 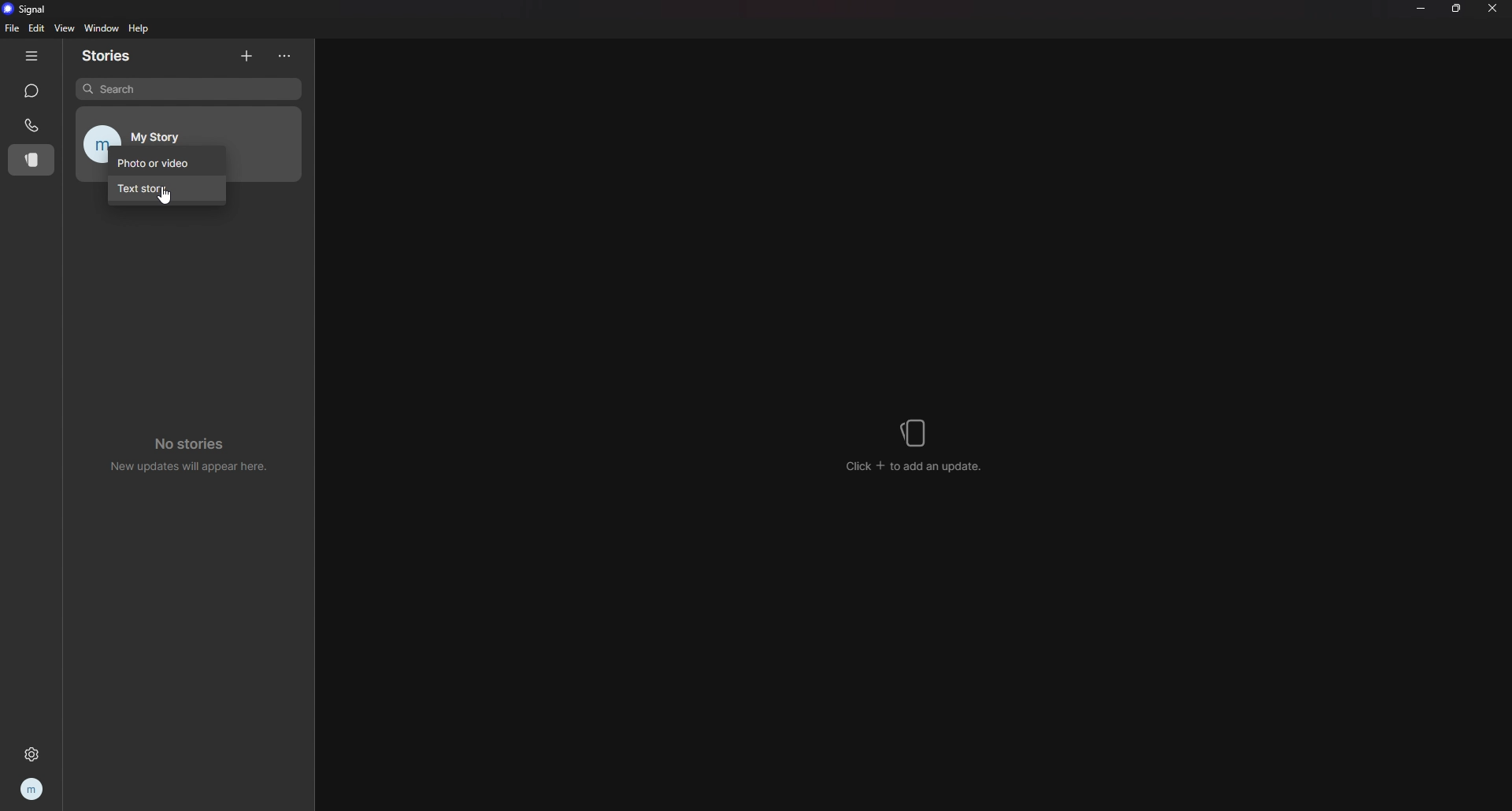 I want to click on options, so click(x=286, y=57).